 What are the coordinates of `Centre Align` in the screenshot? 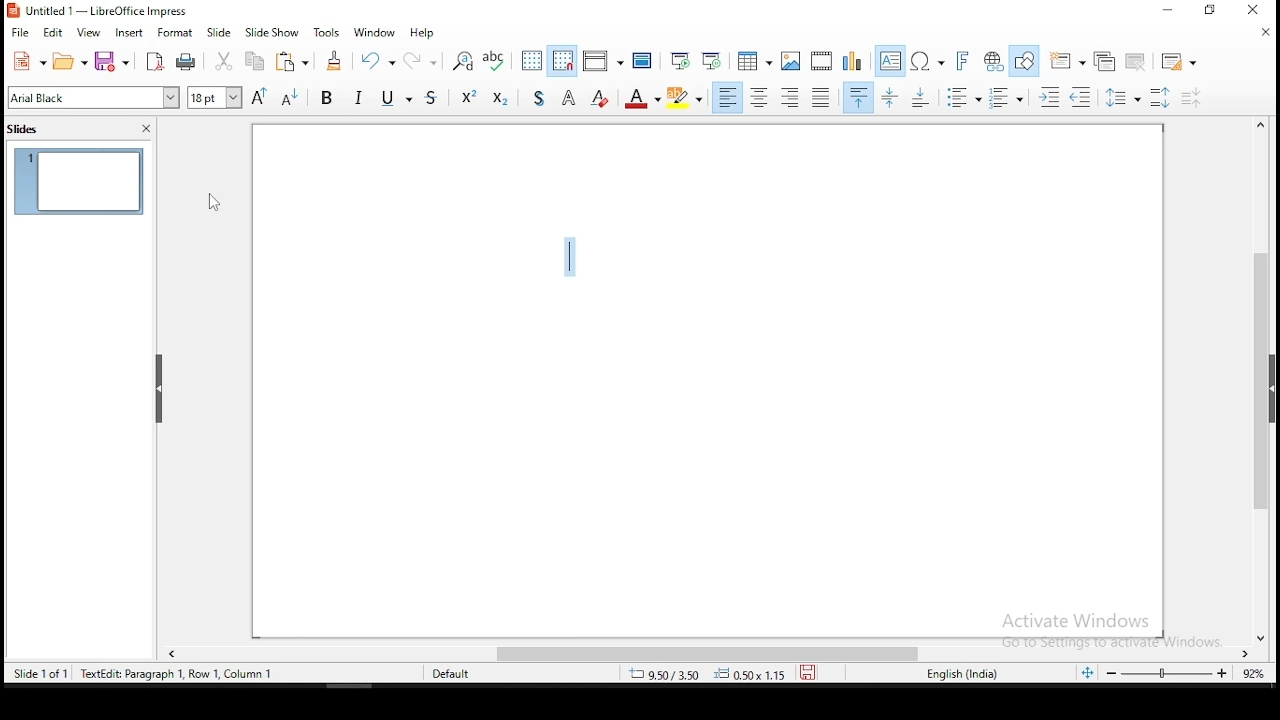 It's located at (759, 97).